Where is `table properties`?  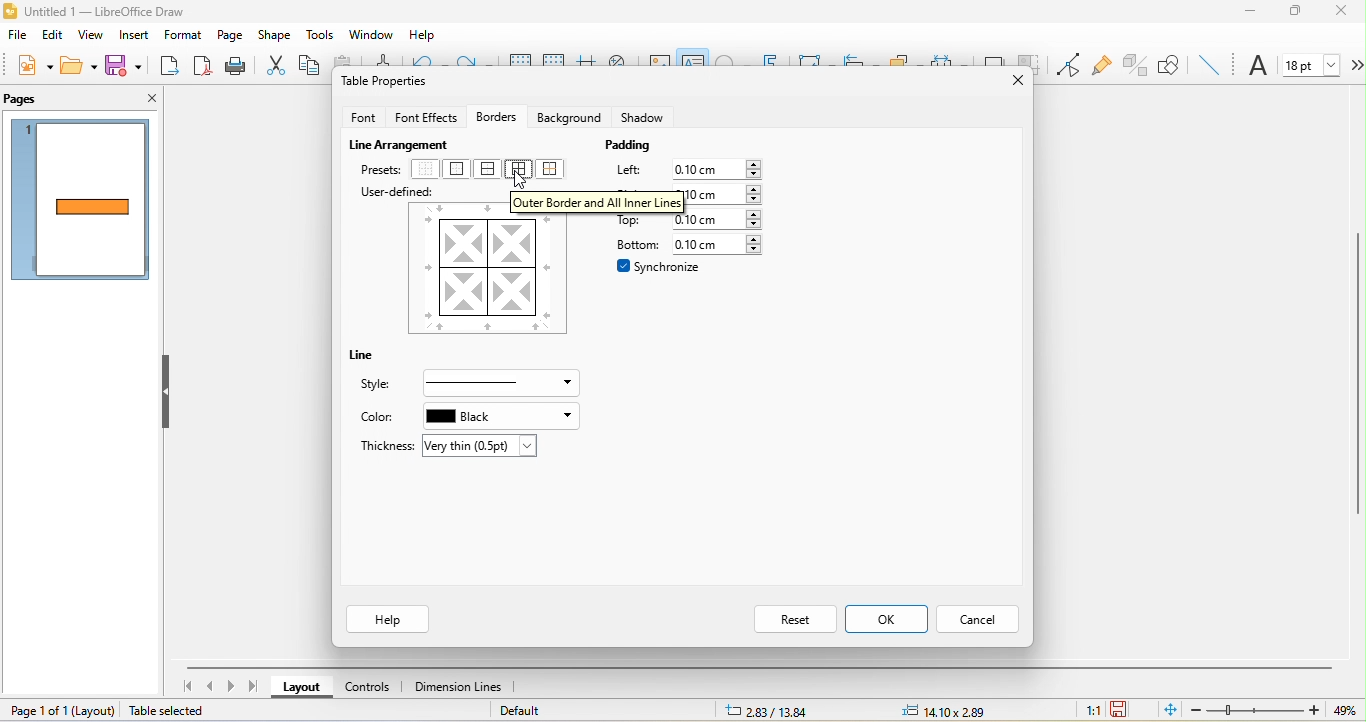
table properties is located at coordinates (388, 84).